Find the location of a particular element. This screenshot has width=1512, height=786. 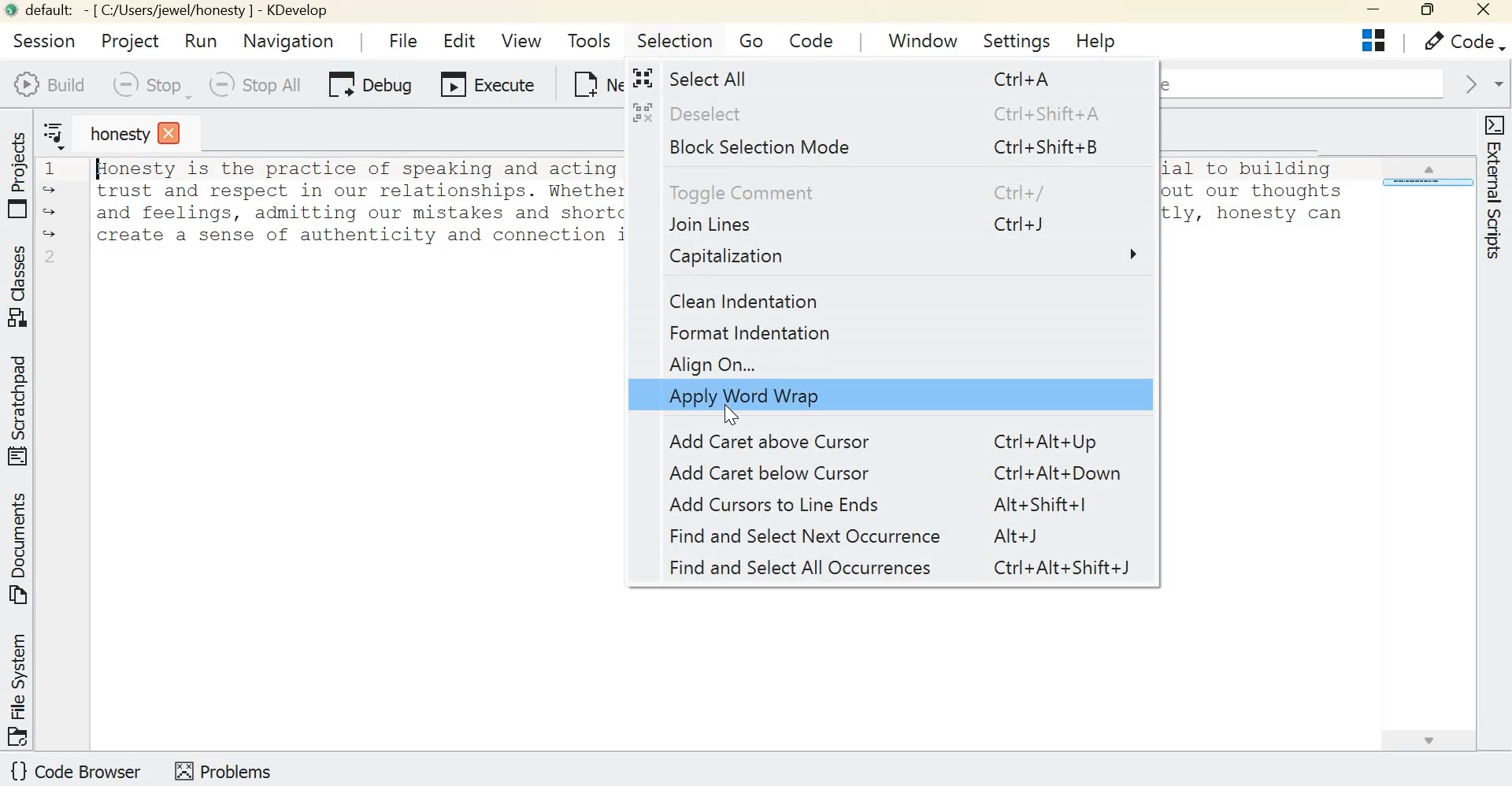

Tools is located at coordinates (589, 40).